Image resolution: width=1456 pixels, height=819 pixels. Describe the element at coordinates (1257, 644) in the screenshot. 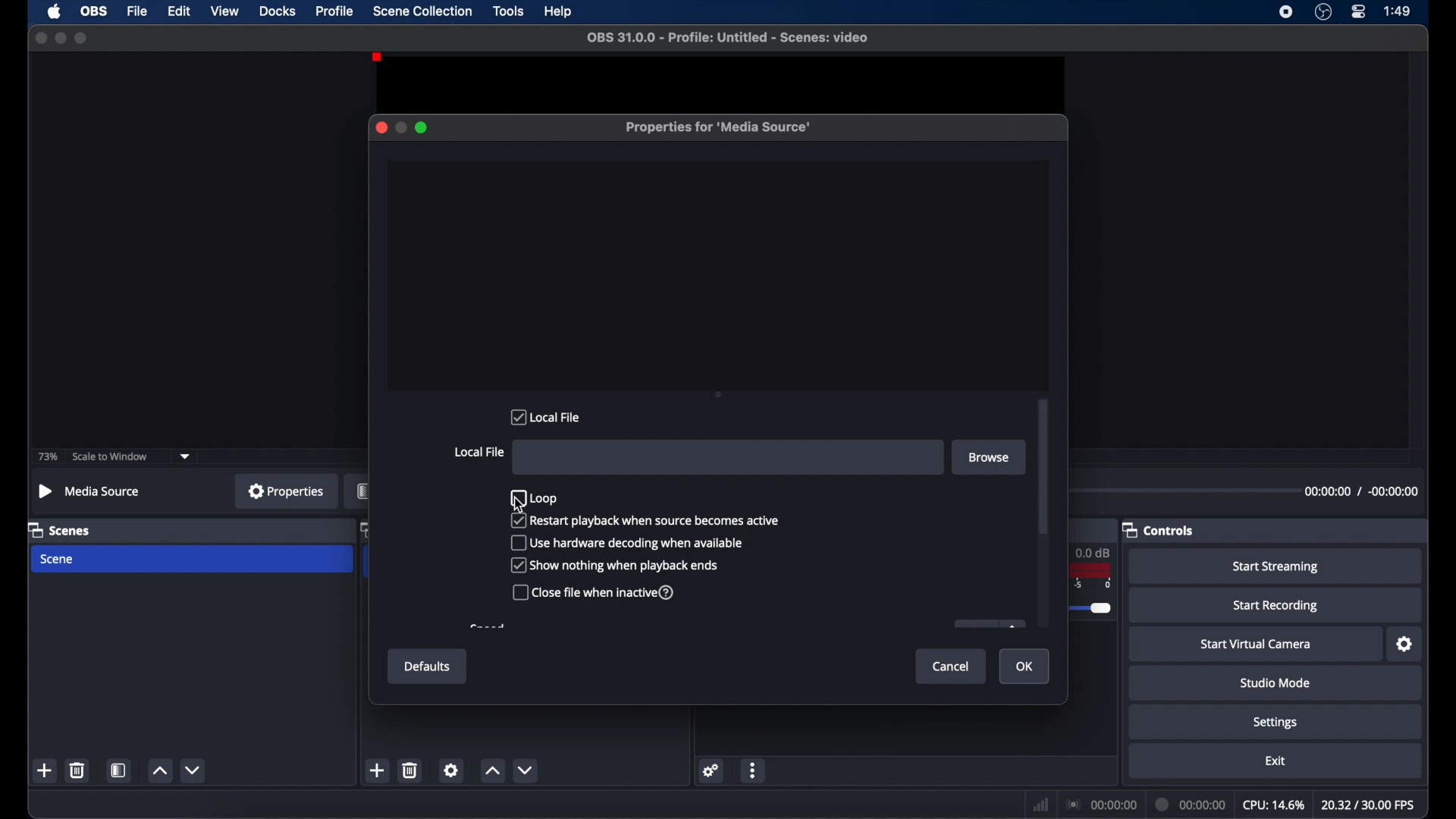

I see `start virtual camera` at that location.